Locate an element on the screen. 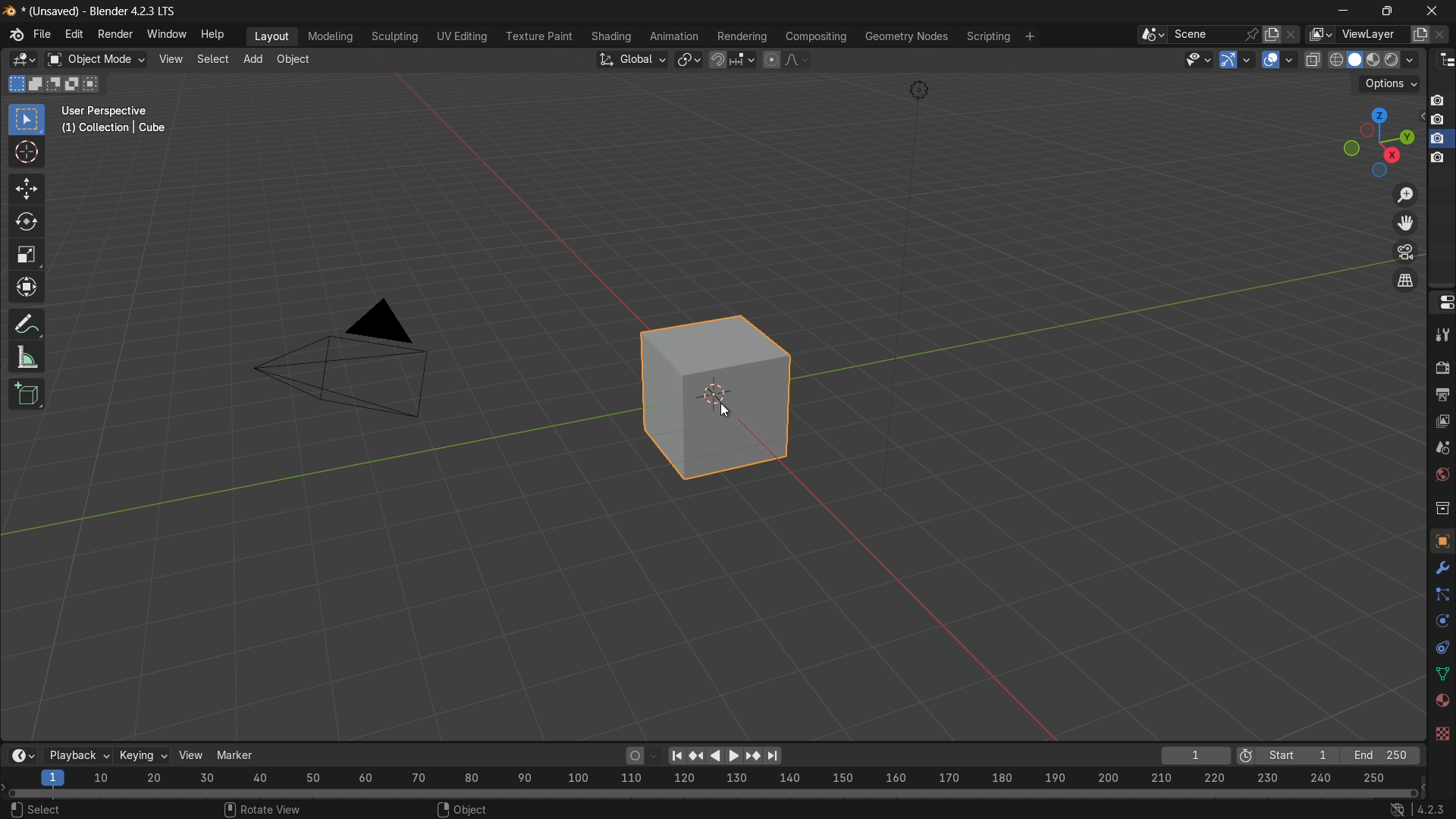 The height and width of the screenshot is (819, 1456). show gizmo is located at coordinates (1228, 60).